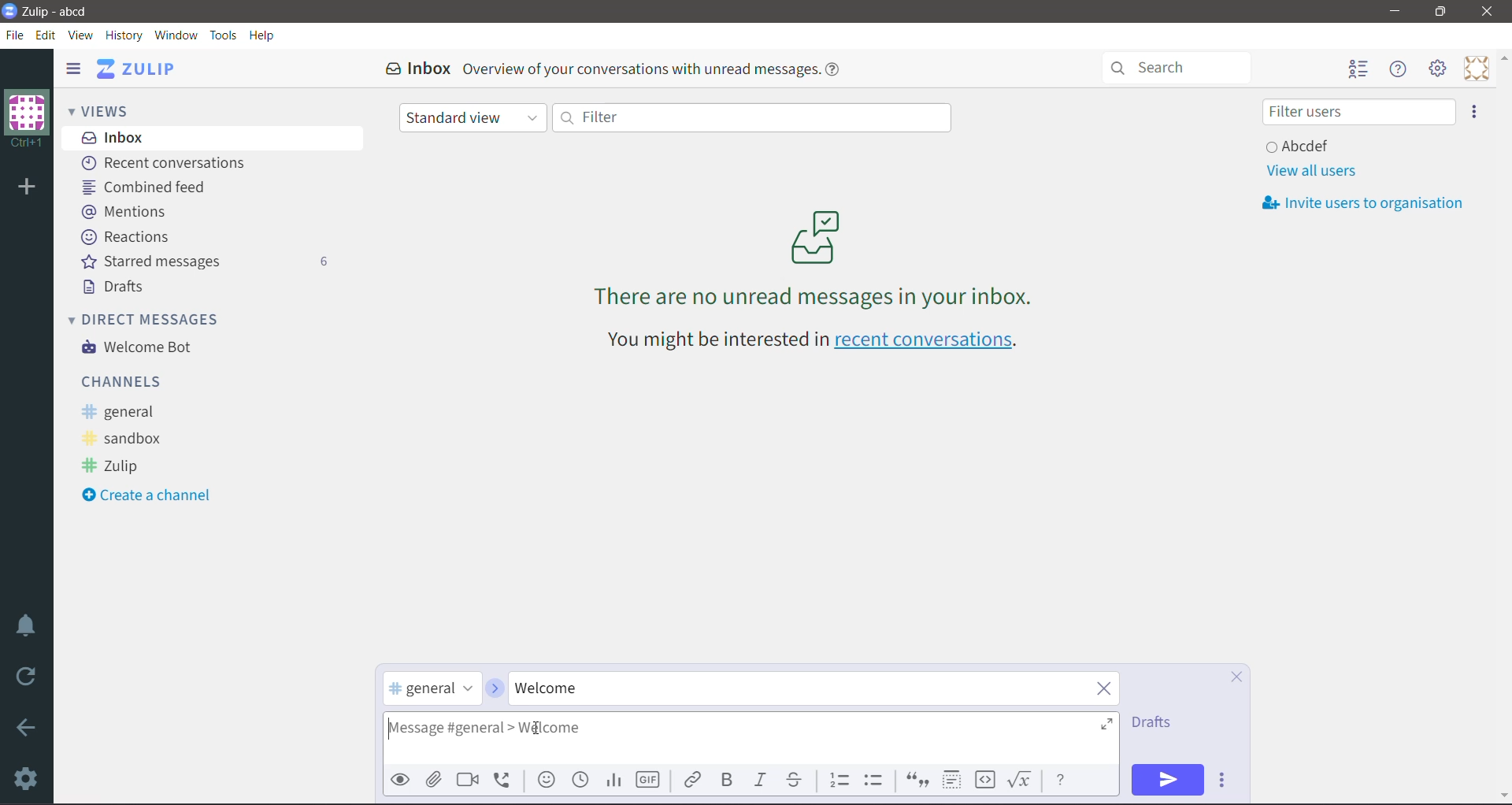 Image resolution: width=1512 pixels, height=805 pixels. Describe the element at coordinates (1395, 11) in the screenshot. I see `Minimize` at that location.